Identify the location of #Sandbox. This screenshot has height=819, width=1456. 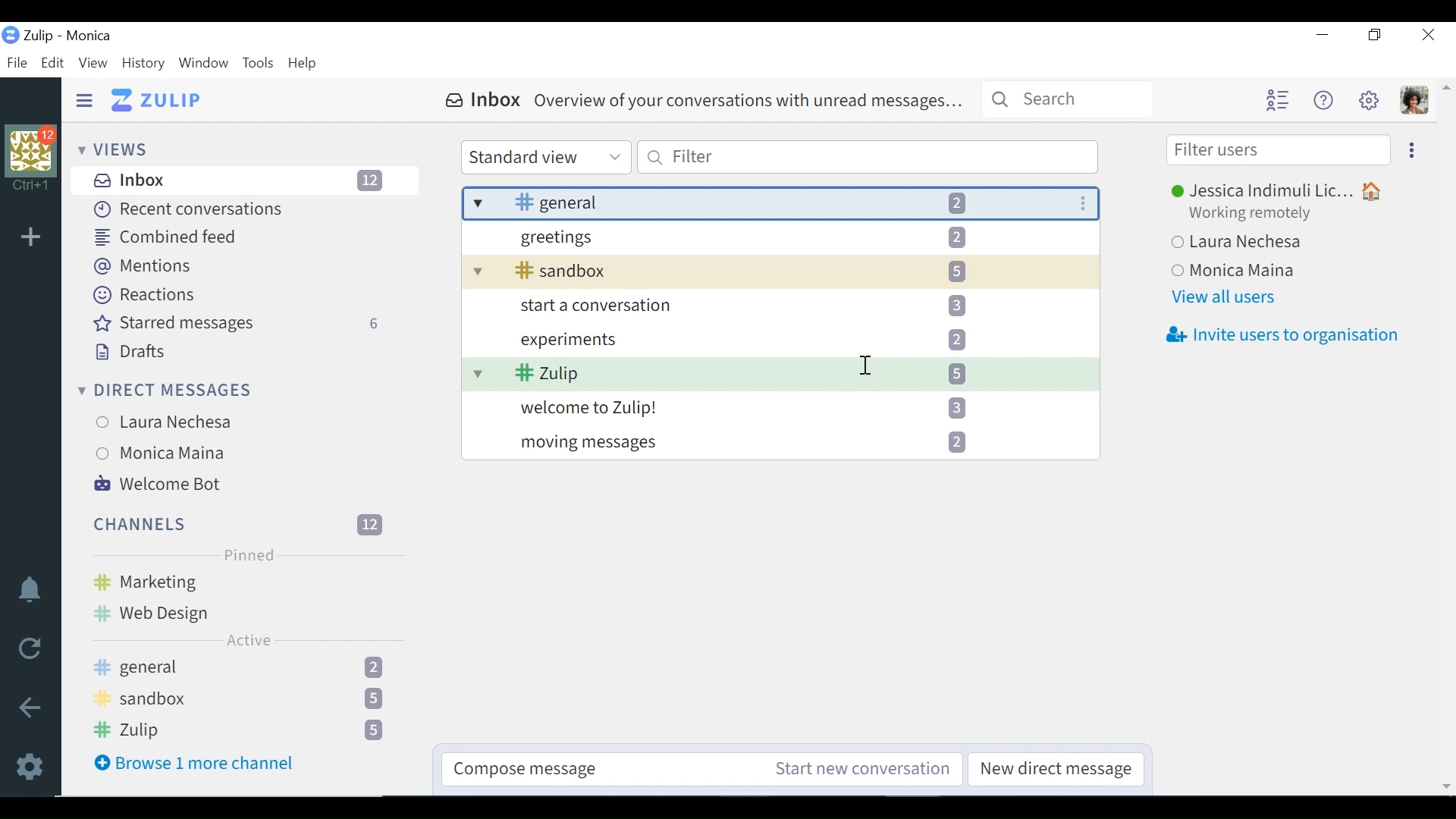
(237, 698).